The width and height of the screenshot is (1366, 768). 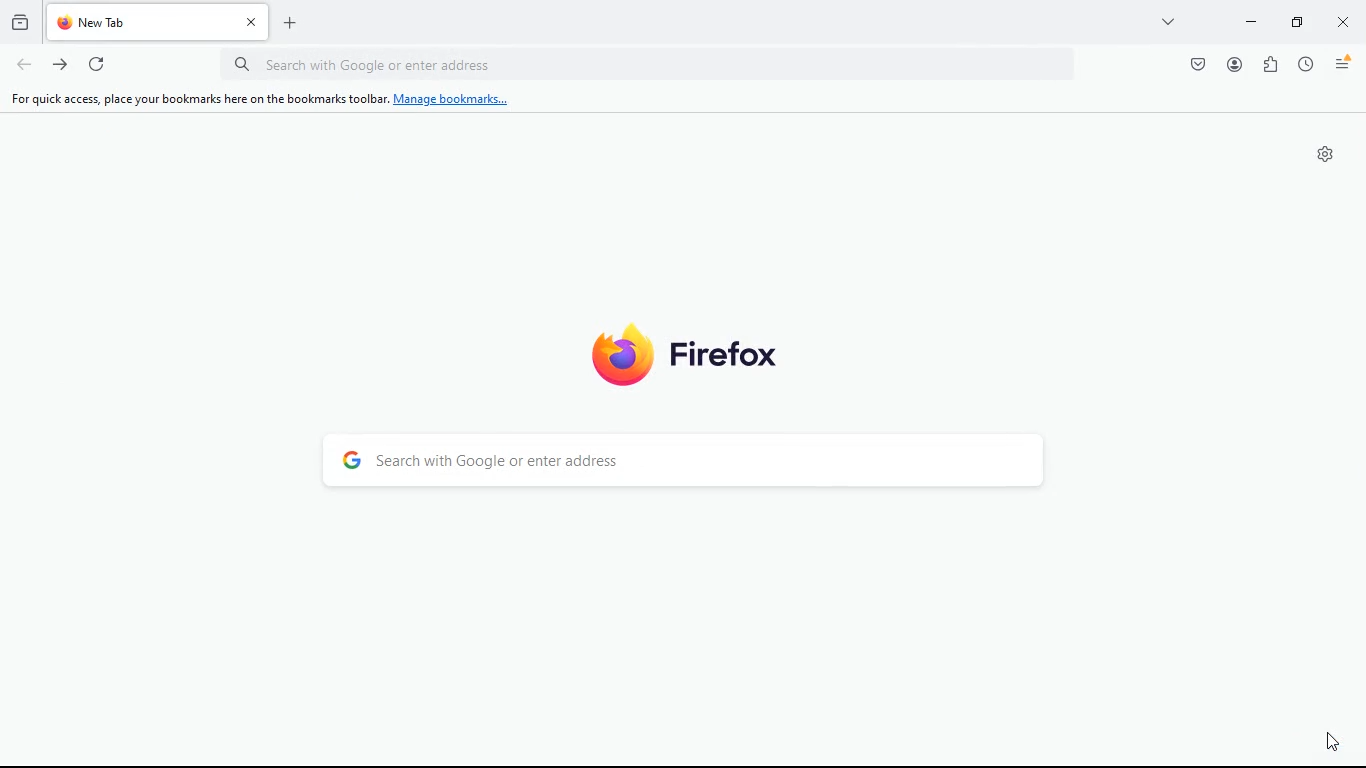 I want to click on Recent, so click(x=1307, y=64).